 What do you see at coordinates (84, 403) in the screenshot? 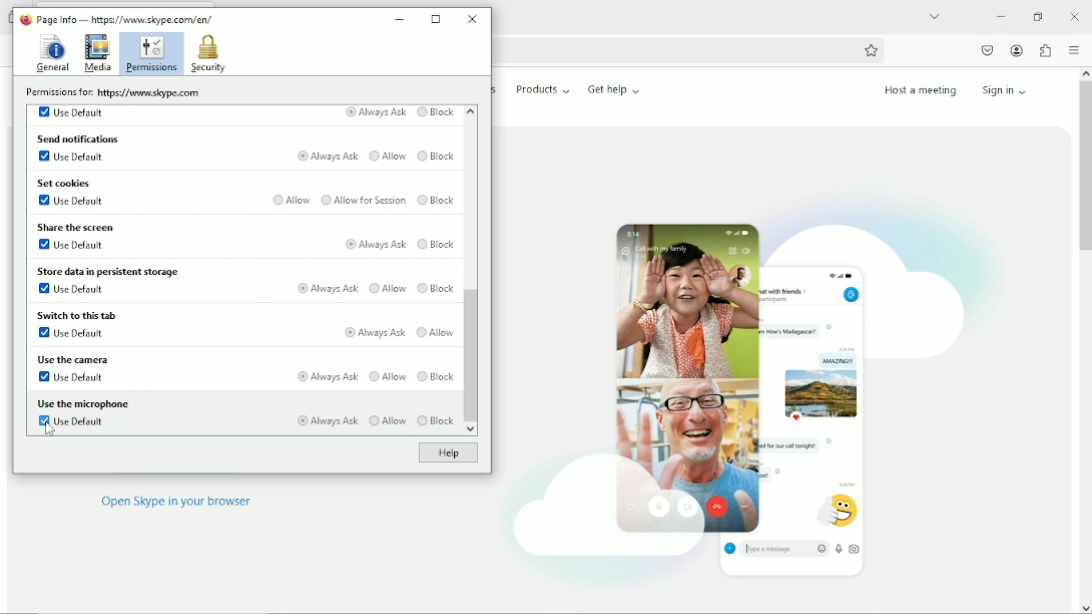
I see `Use the microphone` at bounding box center [84, 403].